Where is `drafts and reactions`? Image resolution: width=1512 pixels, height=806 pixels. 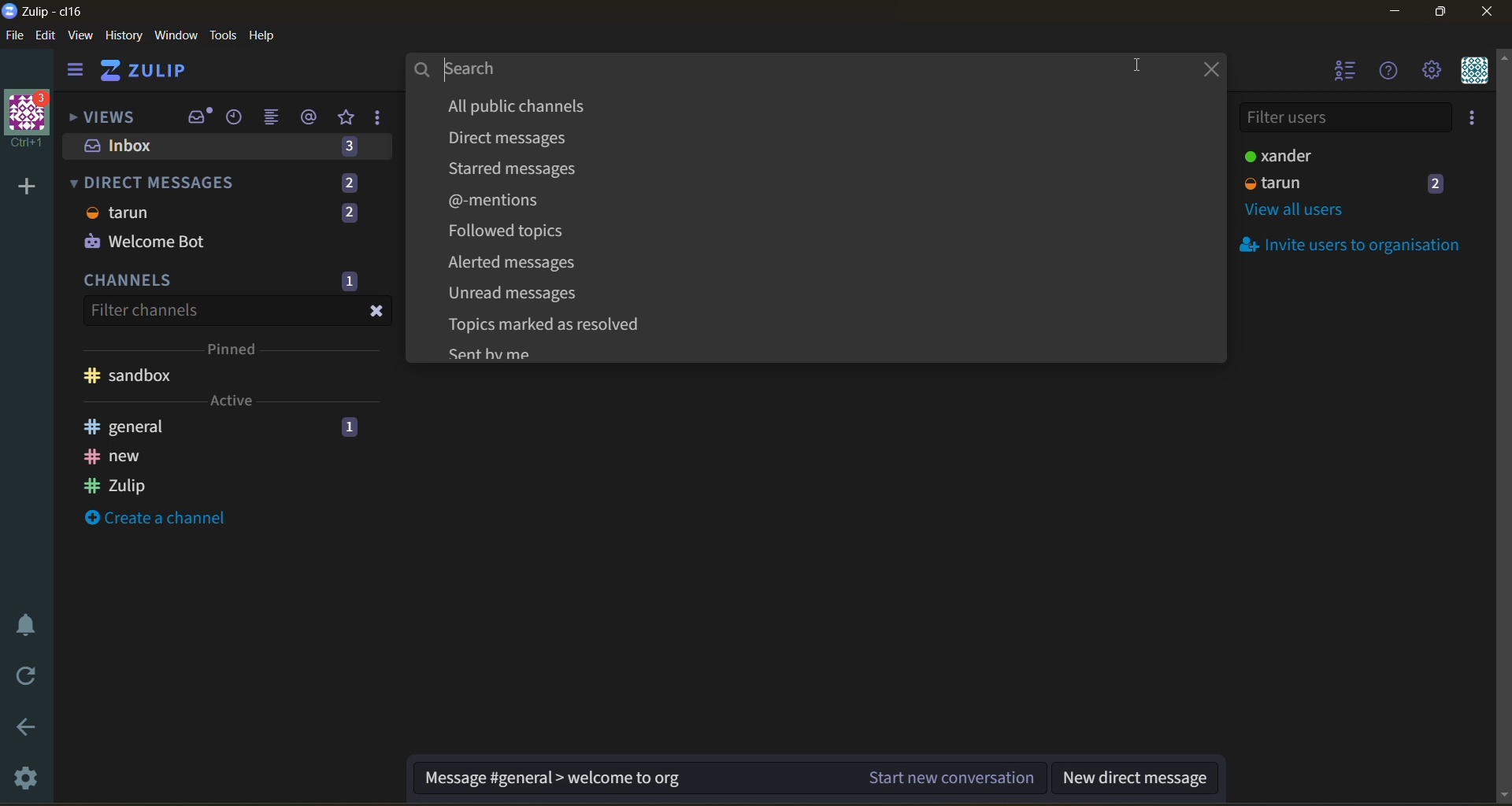
drafts and reactions is located at coordinates (379, 119).